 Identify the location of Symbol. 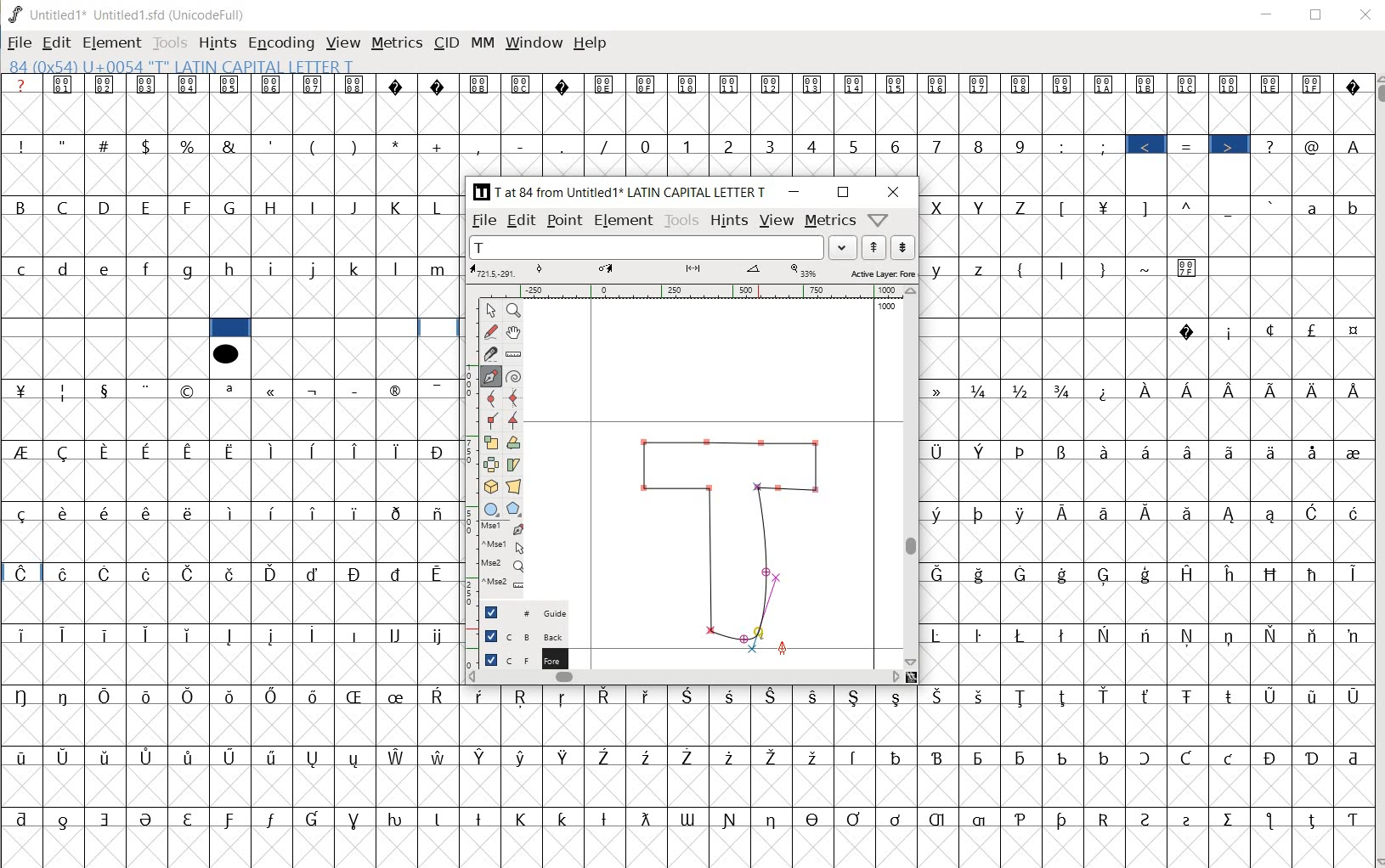
(1231, 818).